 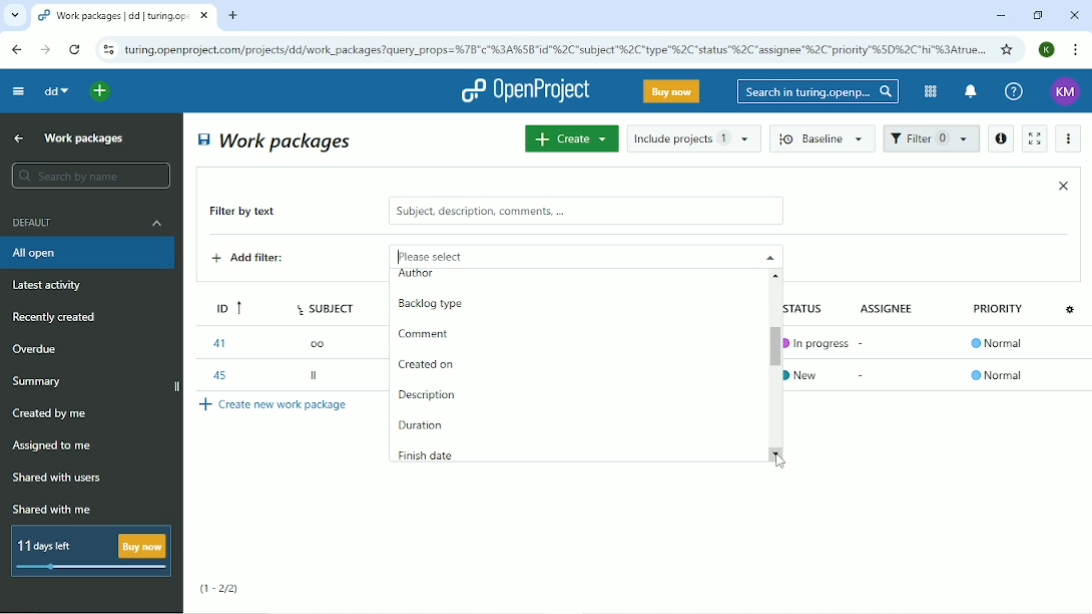 I want to click on Close, so click(x=1063, y=185).